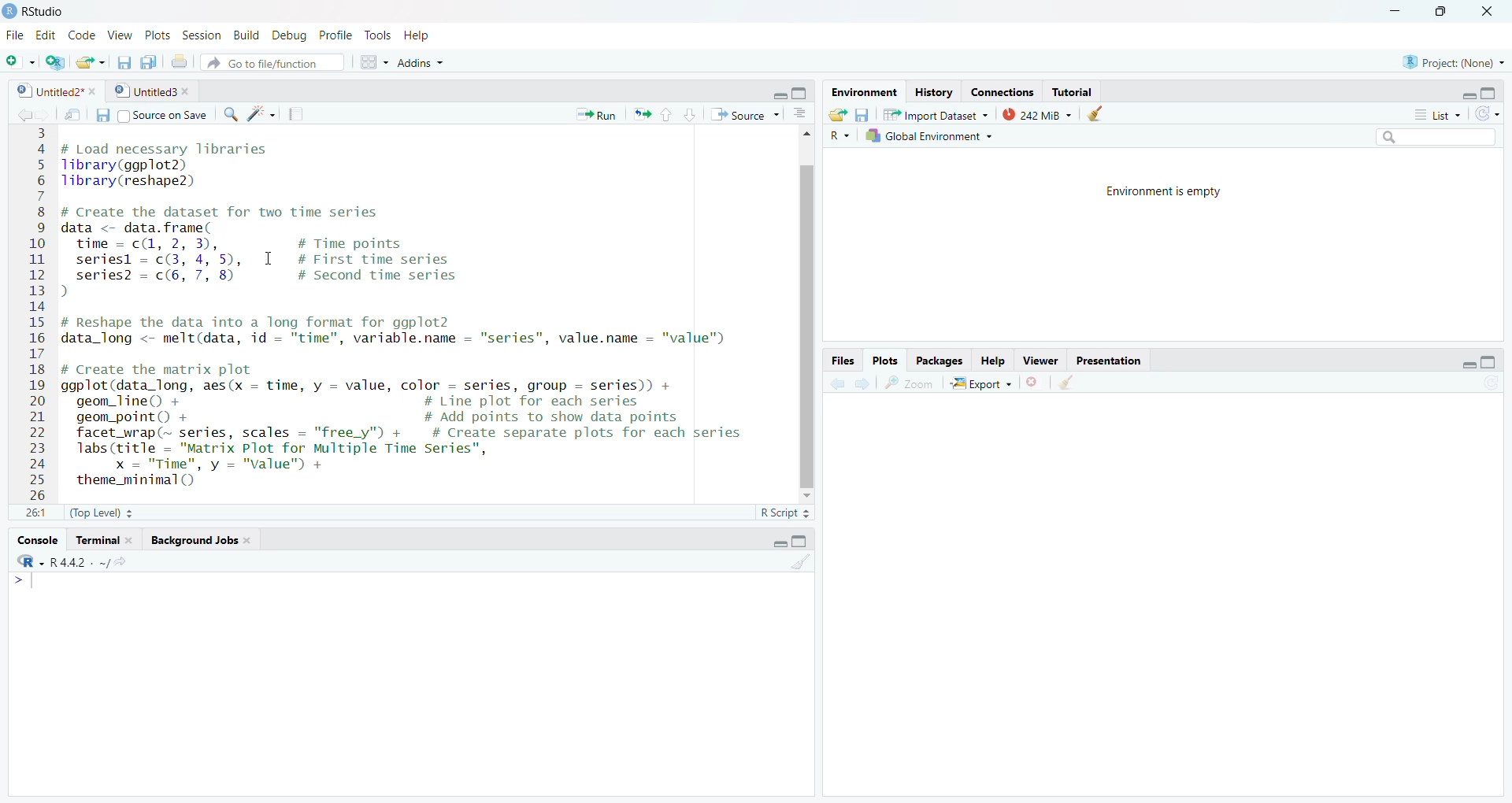 The image size is (1512, 803). Describe the element at coordinates (102, 513) in the screenshot. I see `(Top Level) 3` at that location.